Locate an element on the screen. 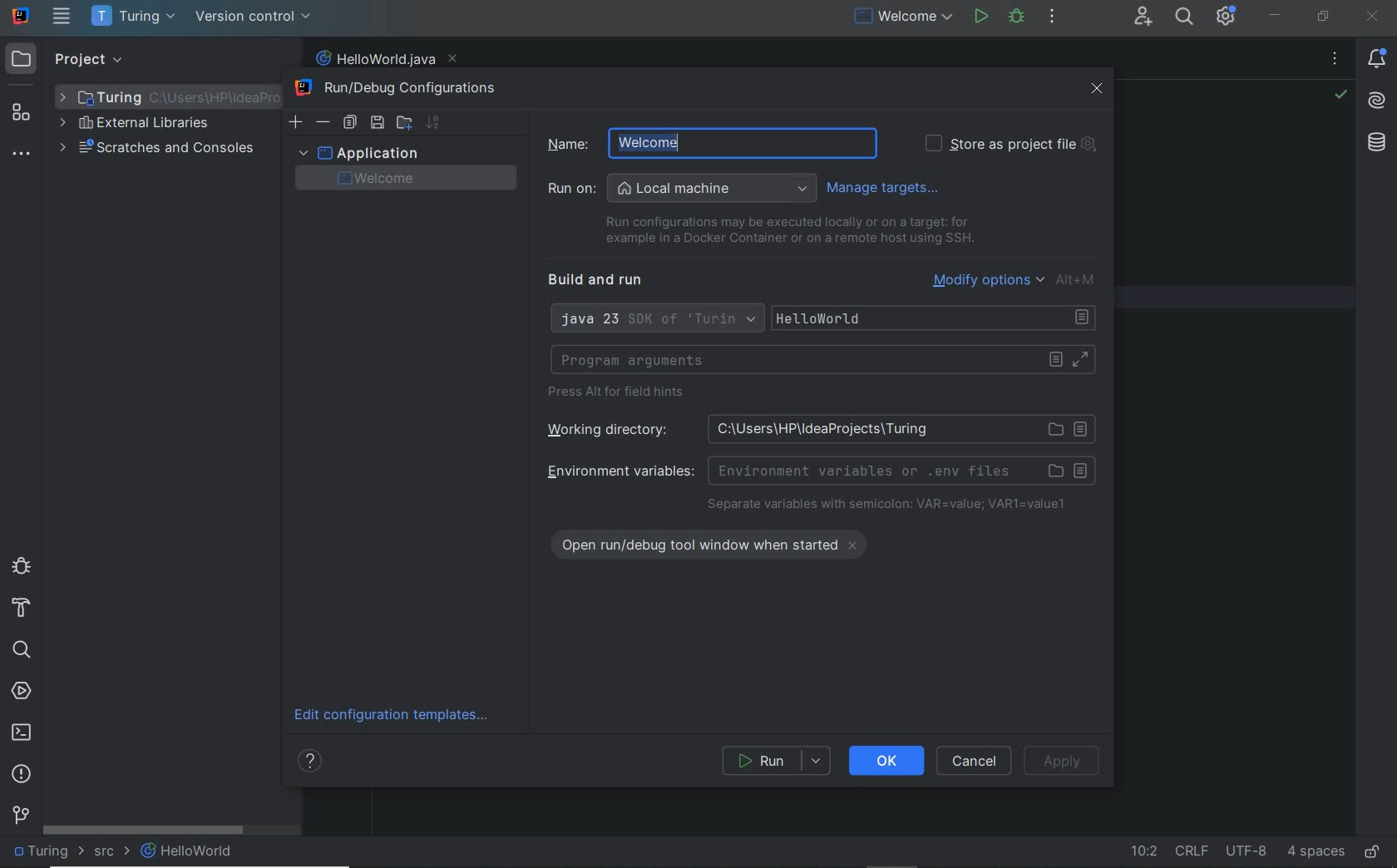 This screenshot has height=868, width=1397. indent is located at coordinates (1316, 852).